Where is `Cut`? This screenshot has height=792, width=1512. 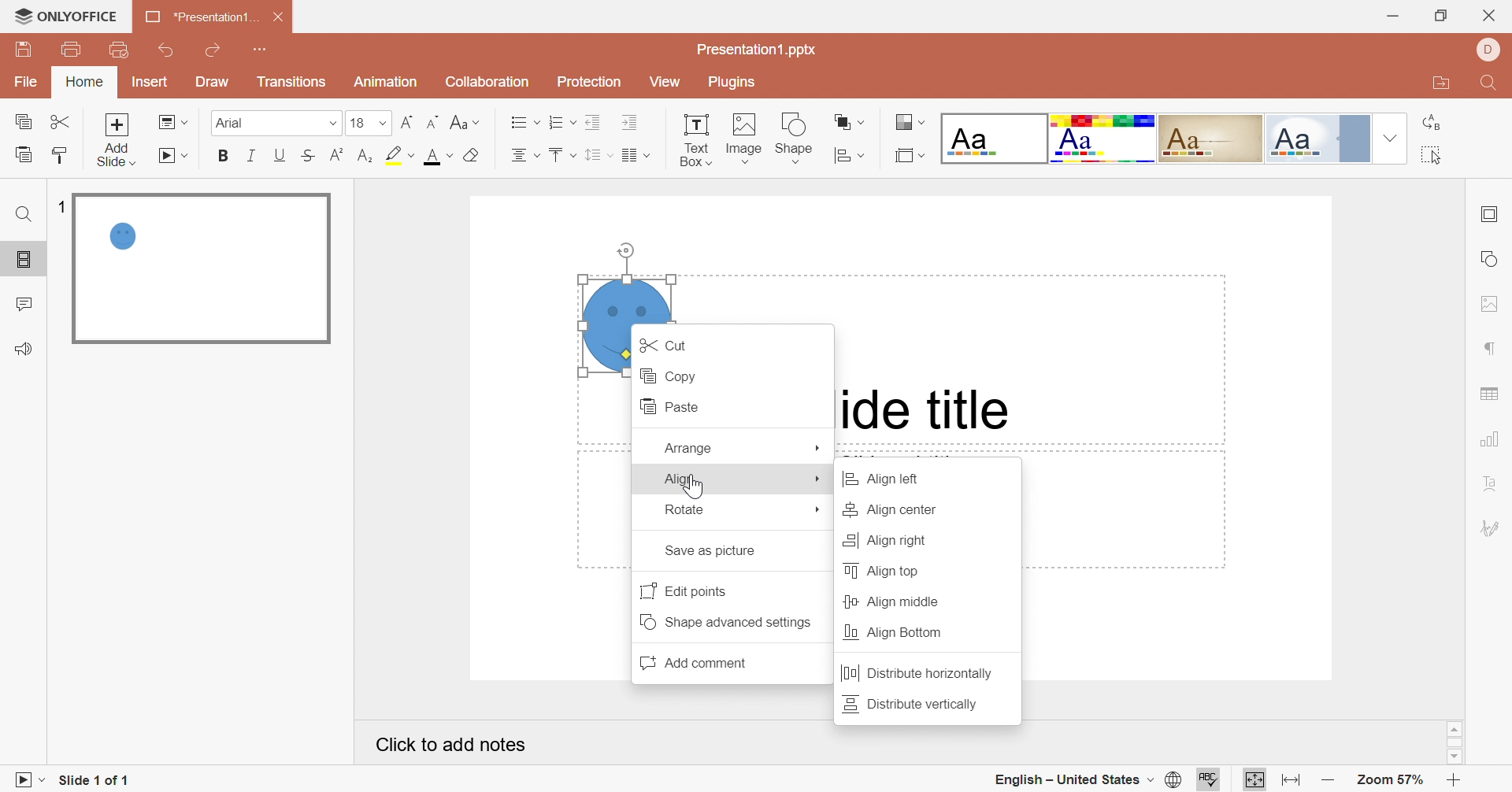 Cut is located at coordinates (63, 121).